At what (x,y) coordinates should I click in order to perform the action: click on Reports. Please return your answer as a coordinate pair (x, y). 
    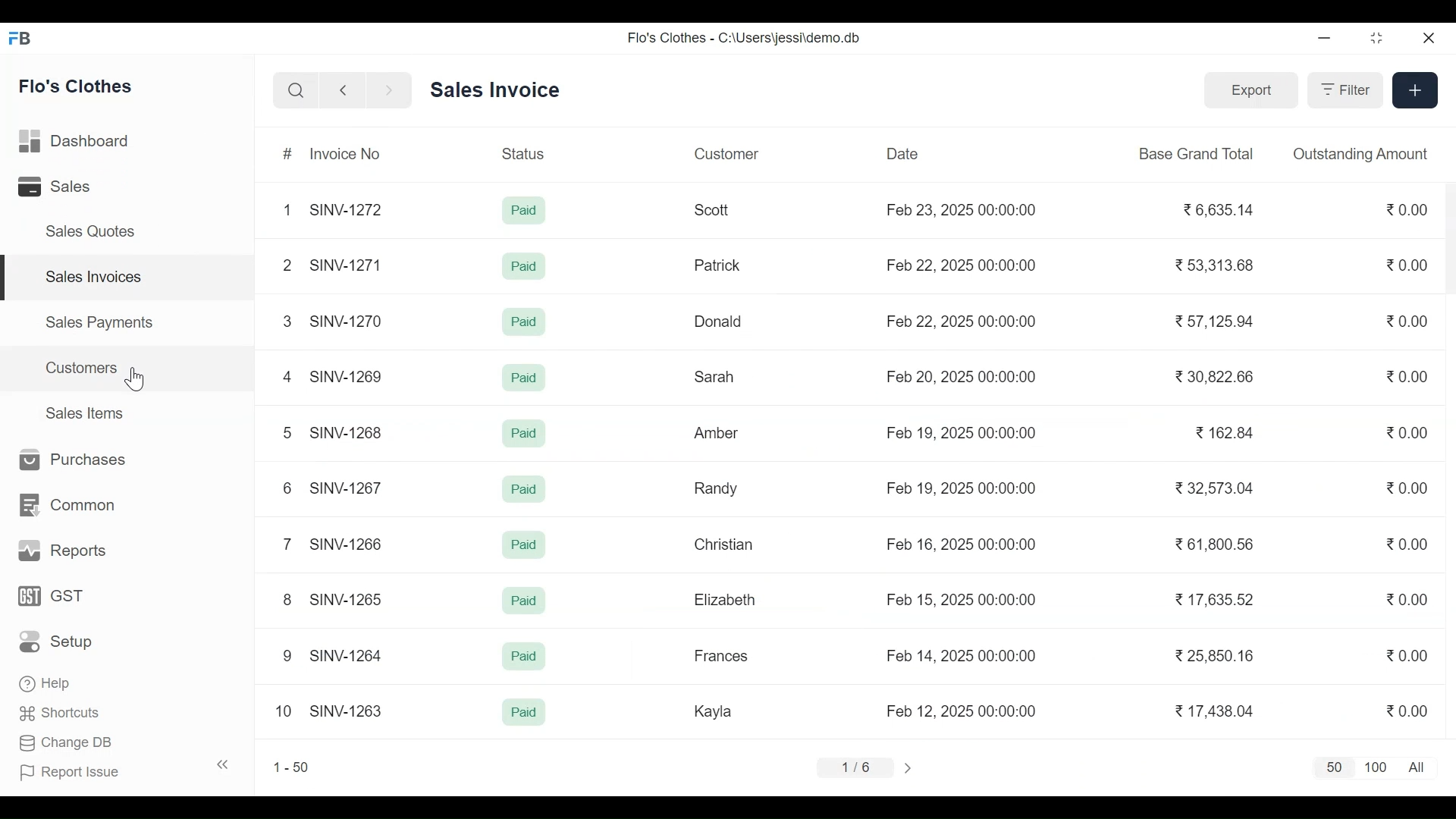
    Looking at the image, I should click on (64, 551).